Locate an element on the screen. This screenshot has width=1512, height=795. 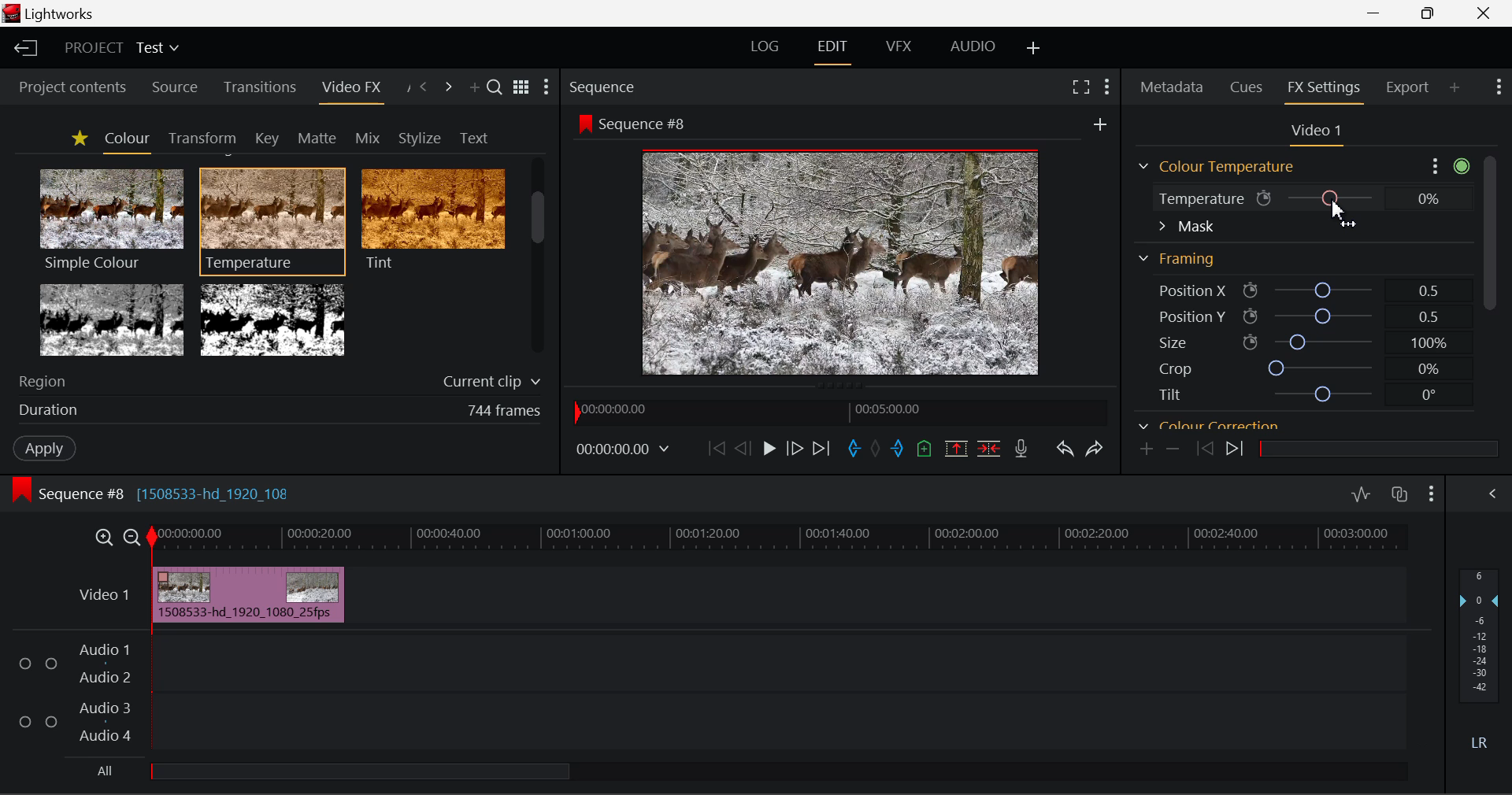
Metadata is located at coordinates (1170, 87).